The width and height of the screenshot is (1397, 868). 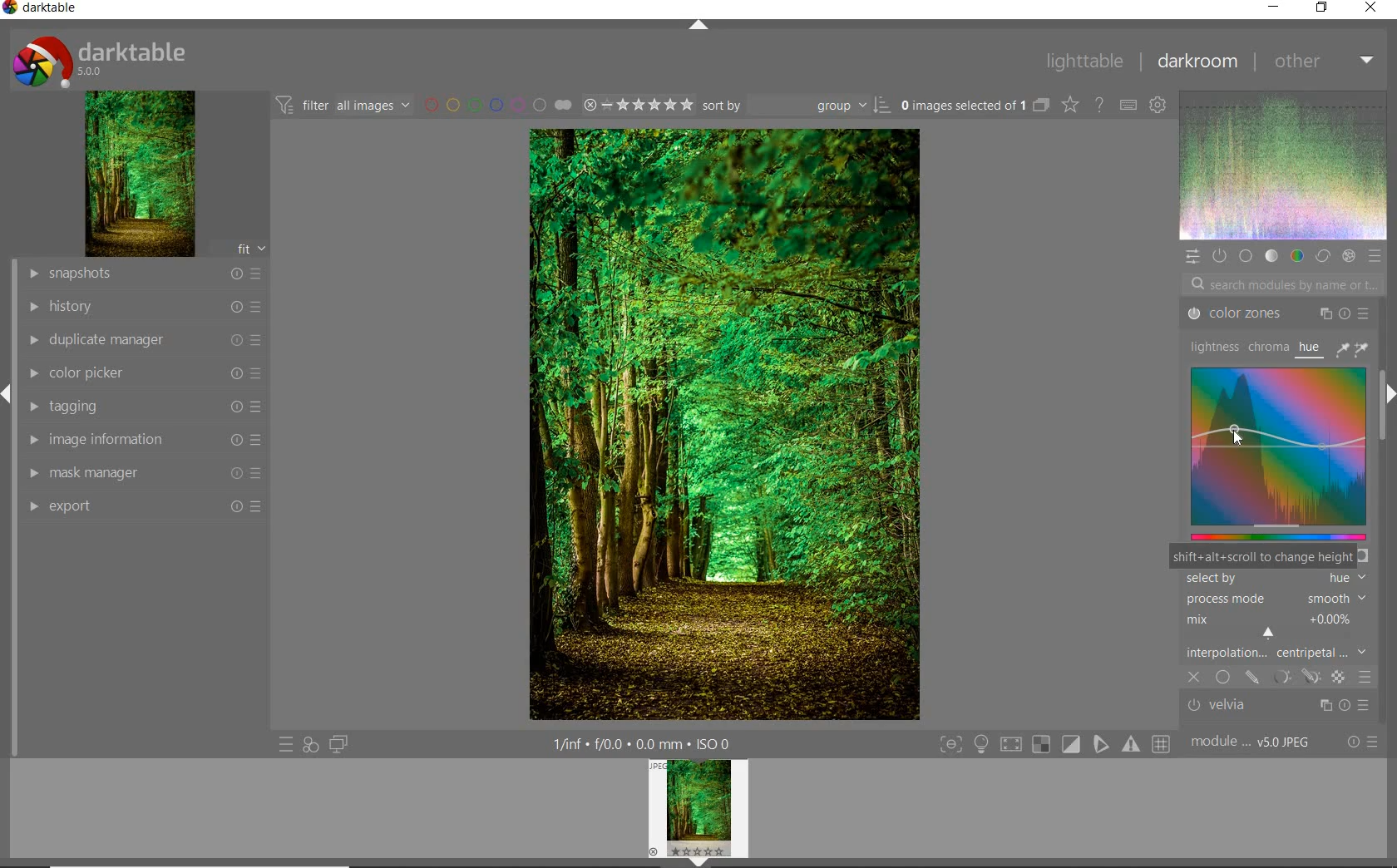 I want to click on SHOW GLOBAL PREFERENCE, so click(x=1159, y=104).